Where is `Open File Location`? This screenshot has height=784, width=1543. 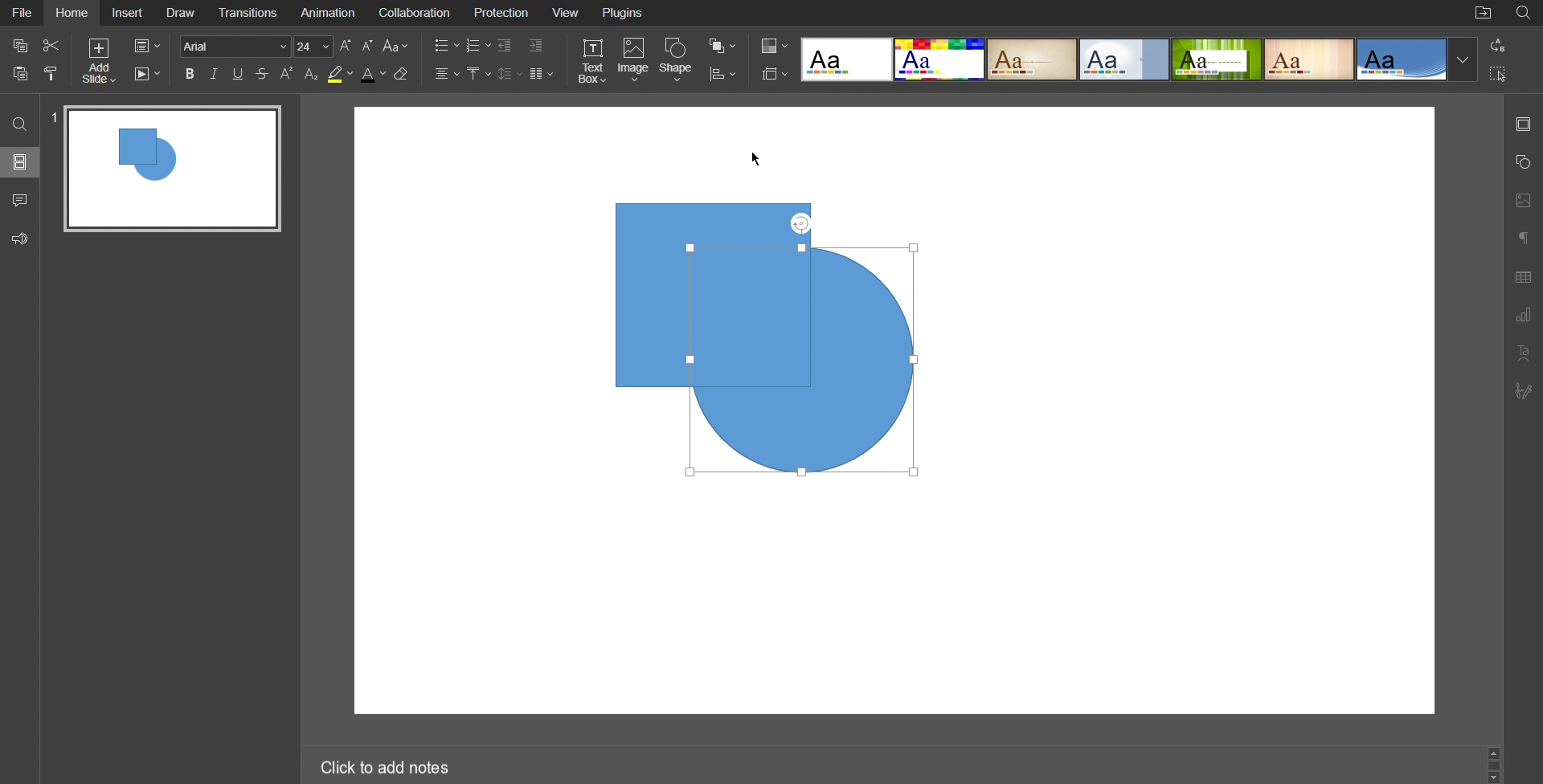 Open File Location is located at coordinates (1483, 12).